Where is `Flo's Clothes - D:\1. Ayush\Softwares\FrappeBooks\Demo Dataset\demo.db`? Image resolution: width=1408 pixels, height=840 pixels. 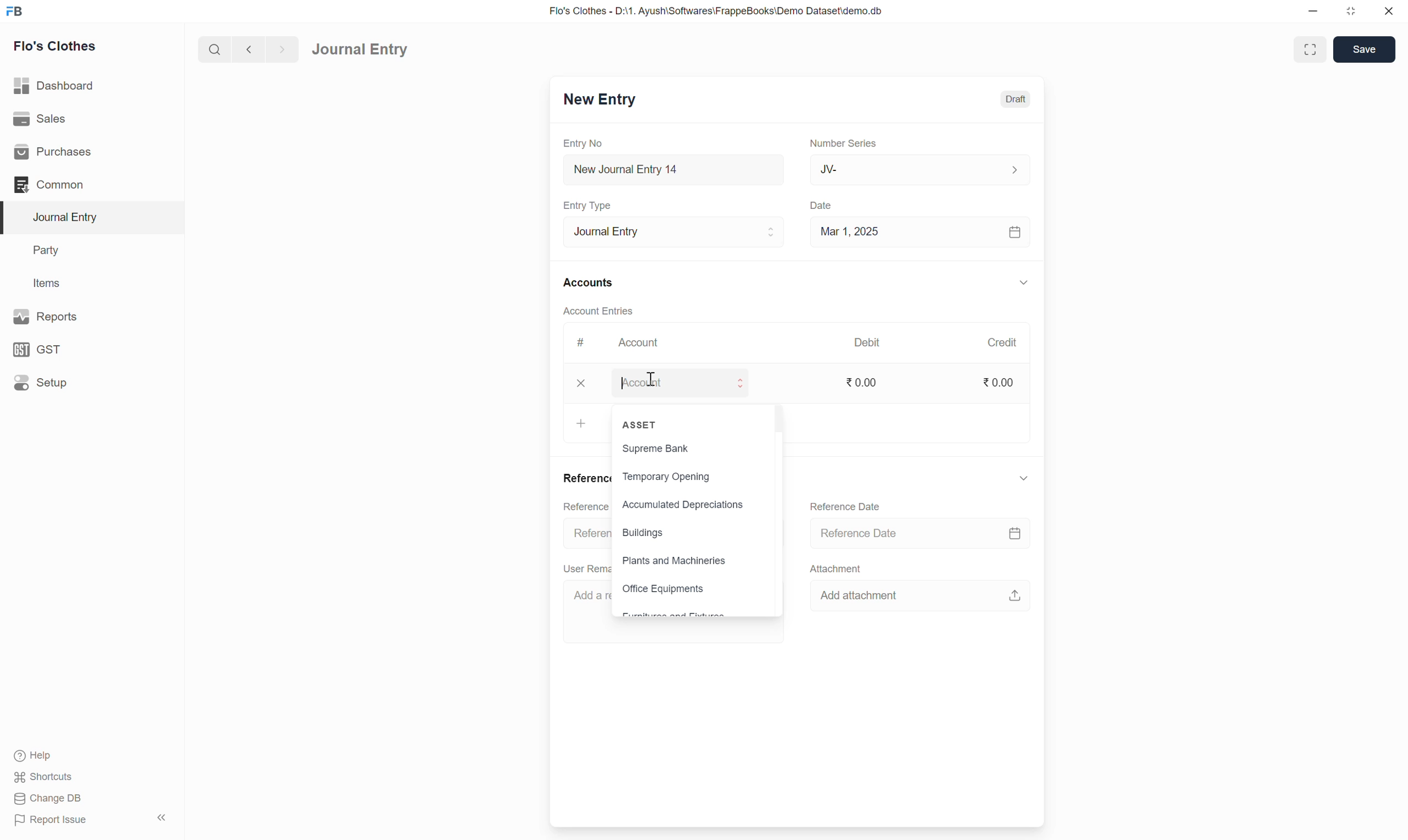
Flo's Clothes - D:\1. Ayush\Softwares\FrappeBooks\Demo Dataset\demo.db is located at coordinates (719, 10).